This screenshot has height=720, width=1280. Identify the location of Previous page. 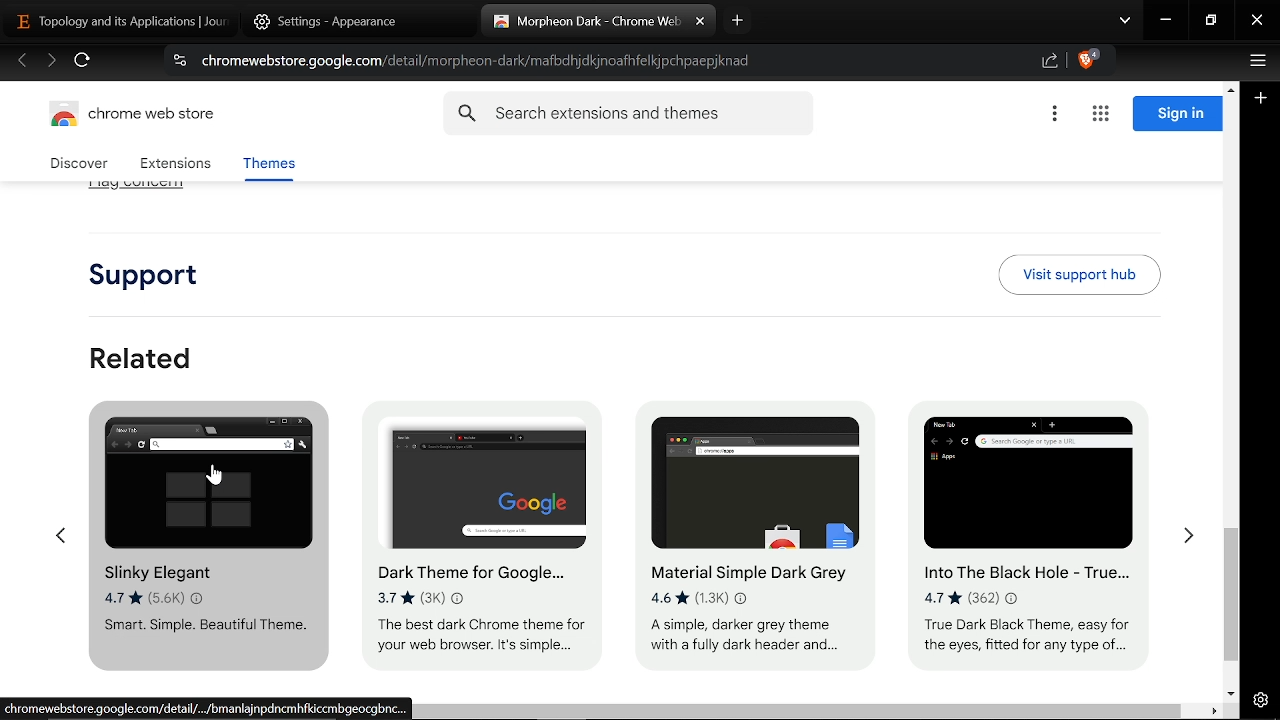
(22, 62).